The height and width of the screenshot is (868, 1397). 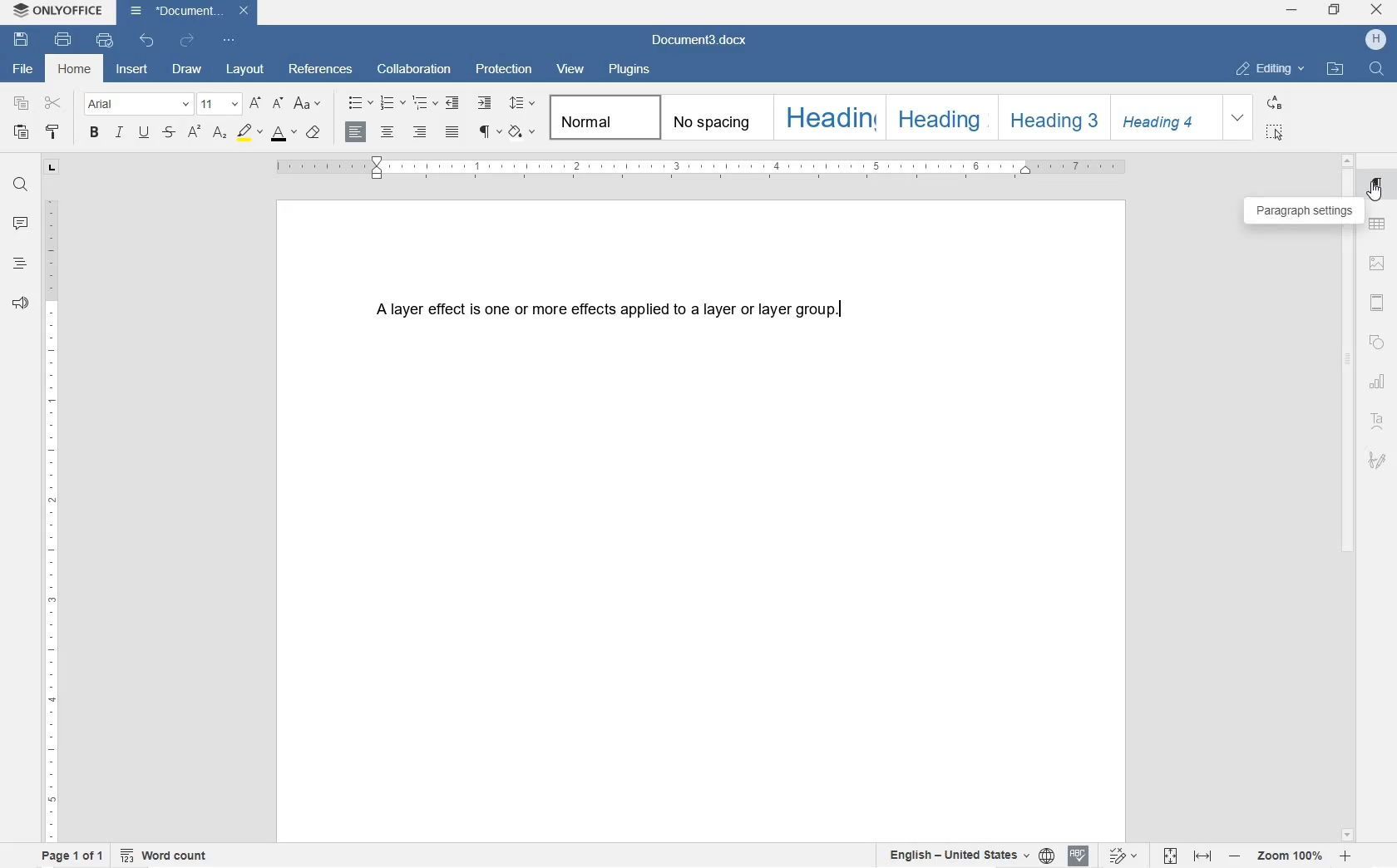 What do you see at coordinates (72, 854) in the screenshot?
I see `PAGE 1 OF 1` at bounding box center [72, 854].